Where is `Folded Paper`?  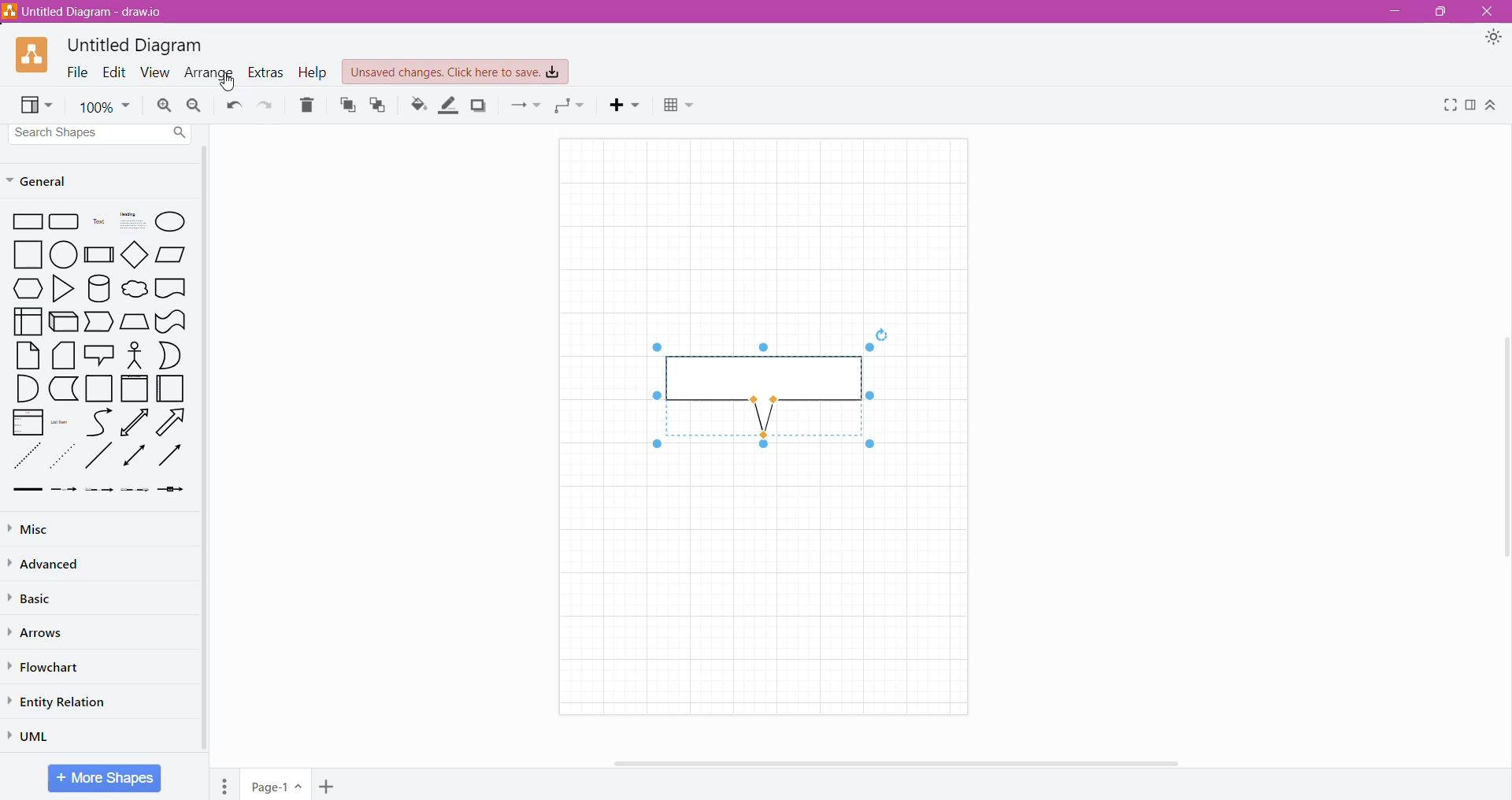
Folded Paper is located at coordinates (173, 388).